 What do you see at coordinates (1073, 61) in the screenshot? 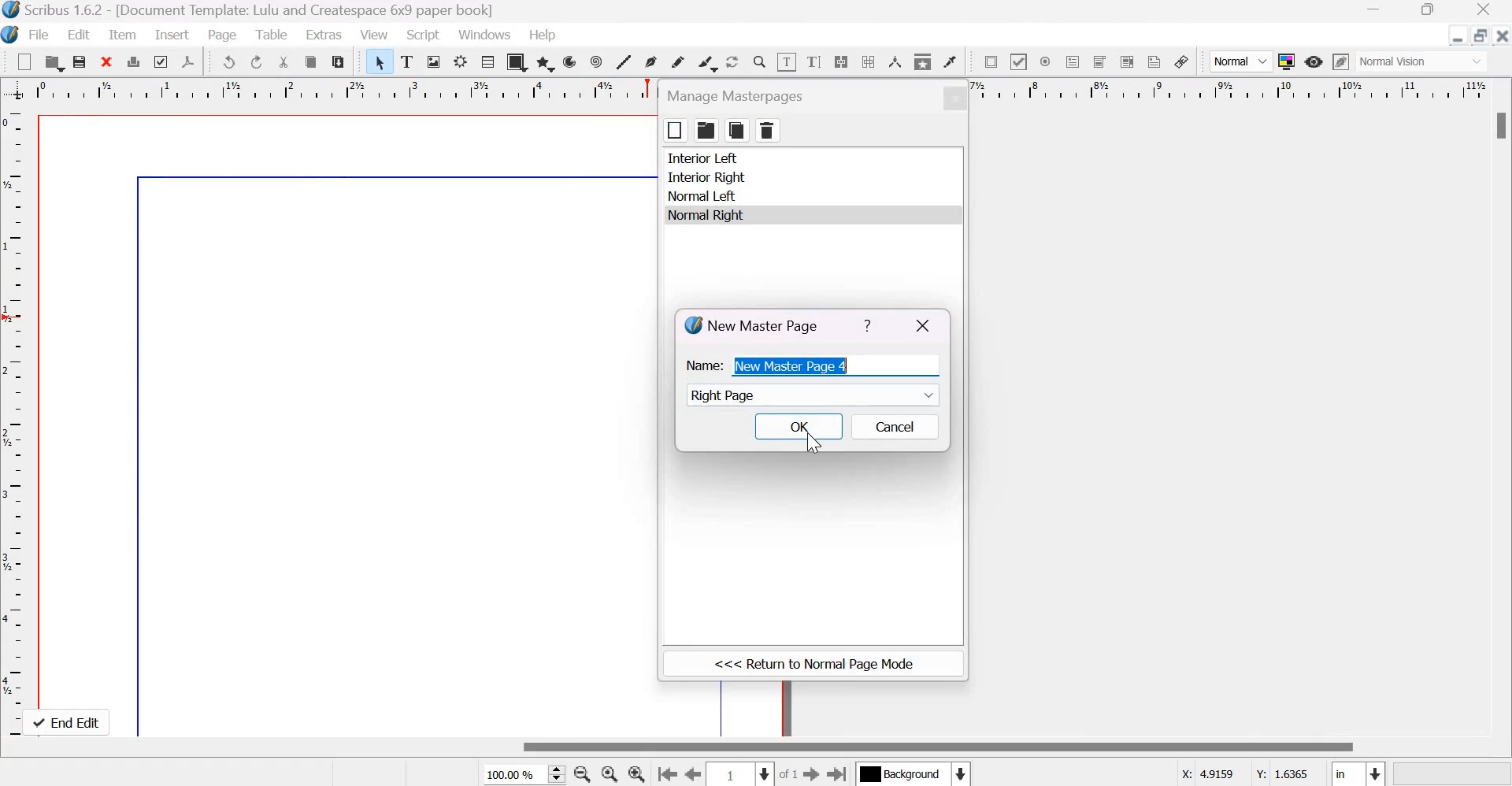
I see `PDF text field` at bounding box center [1073, 61].